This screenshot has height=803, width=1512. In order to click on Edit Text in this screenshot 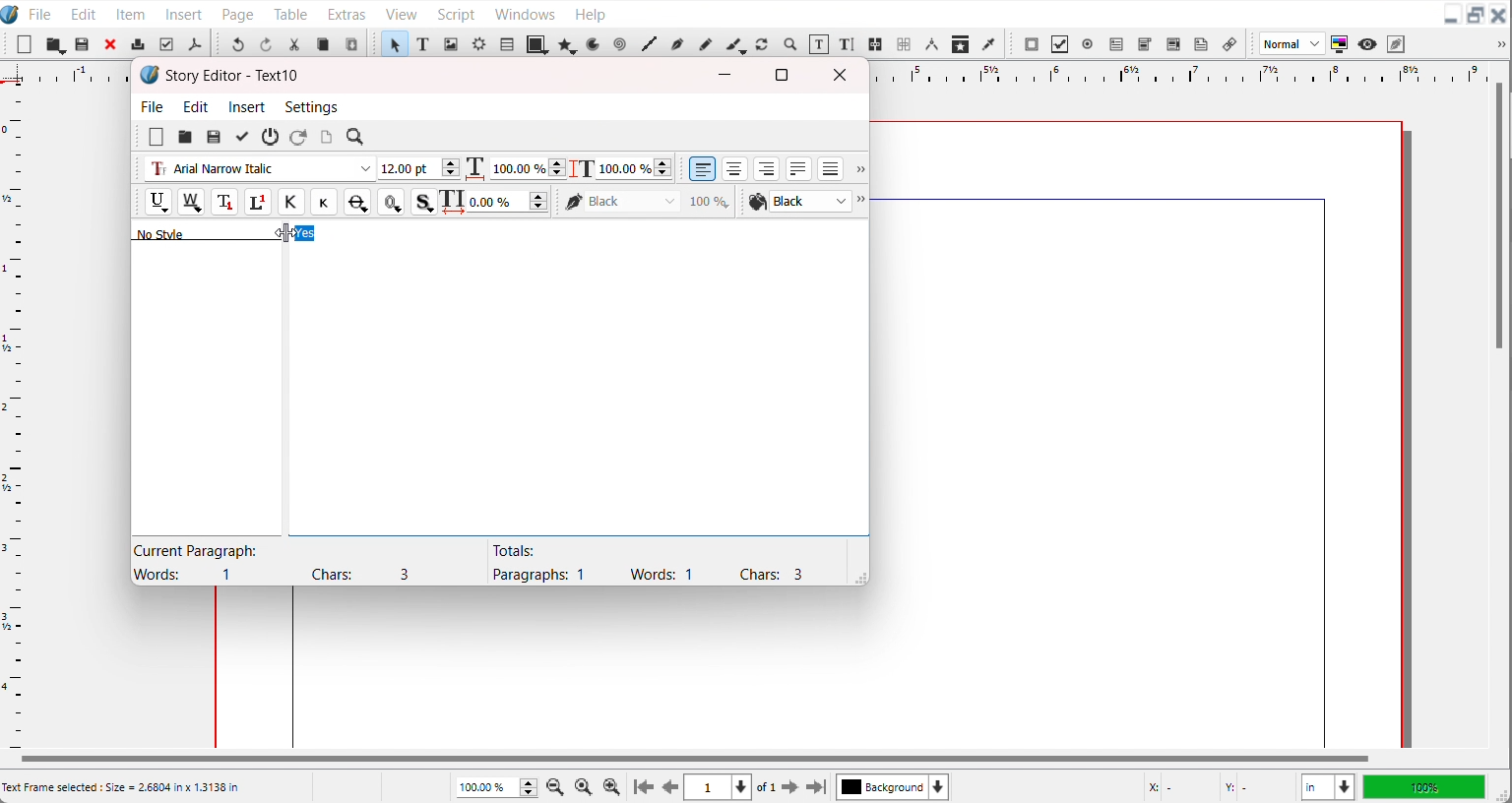, I will do `click(849, 45)`.